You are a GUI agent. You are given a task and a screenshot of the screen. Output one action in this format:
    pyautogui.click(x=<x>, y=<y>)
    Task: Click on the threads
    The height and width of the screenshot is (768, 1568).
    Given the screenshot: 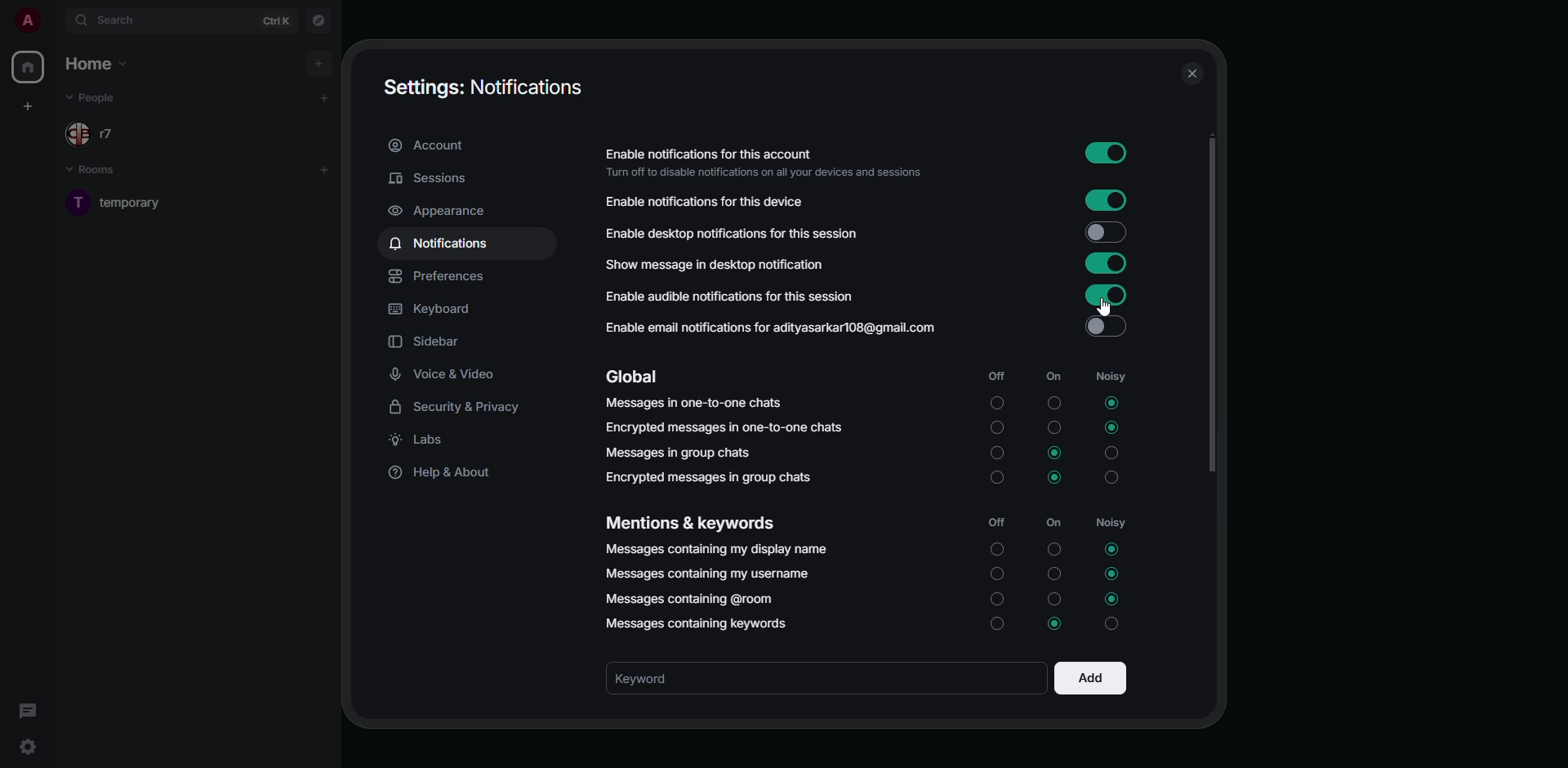 What is the action you would take?
    pyautogui.click(x=31, y=712)
    